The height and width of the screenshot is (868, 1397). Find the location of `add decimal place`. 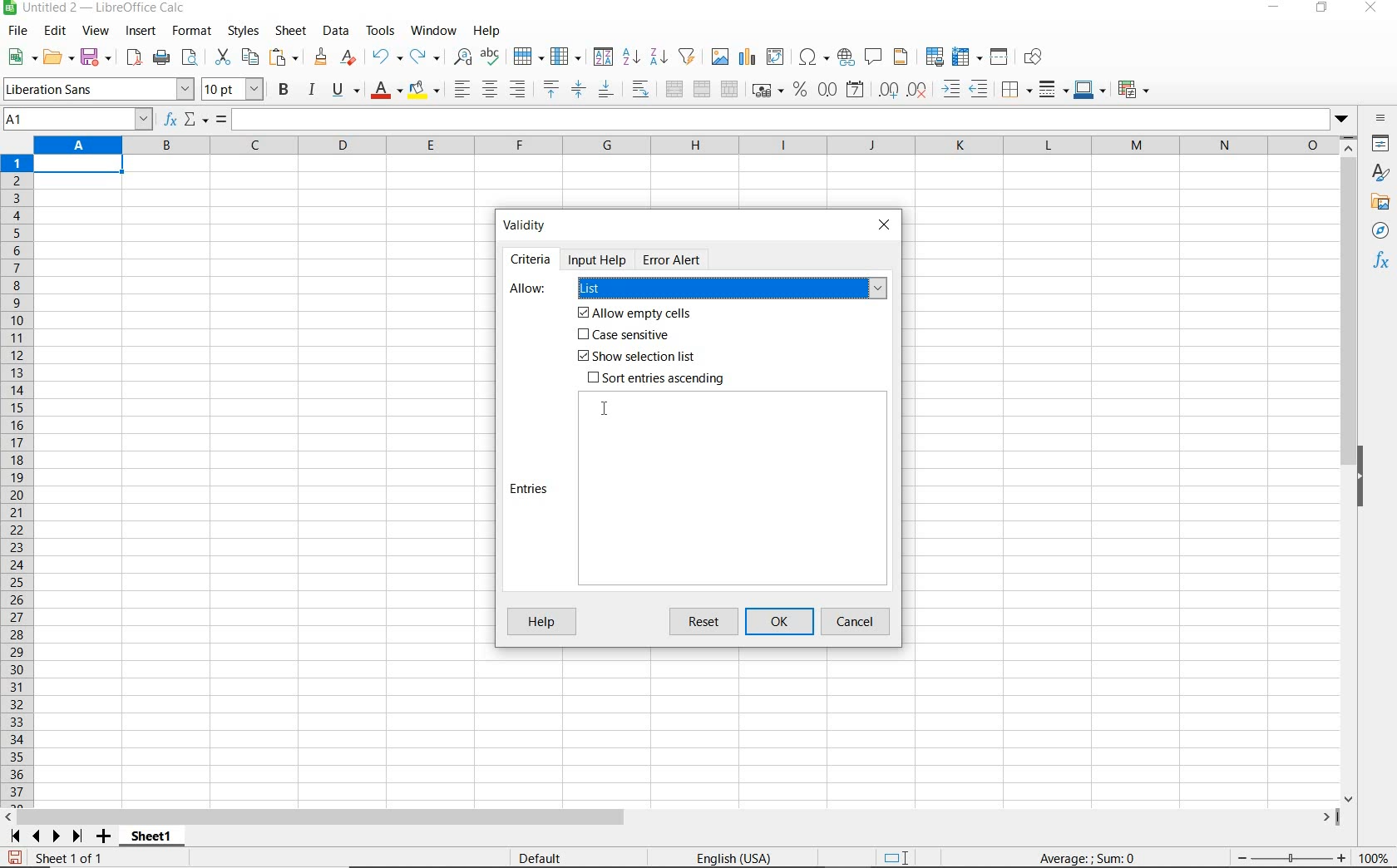

add decimal place is located at coordinates (889, 91).